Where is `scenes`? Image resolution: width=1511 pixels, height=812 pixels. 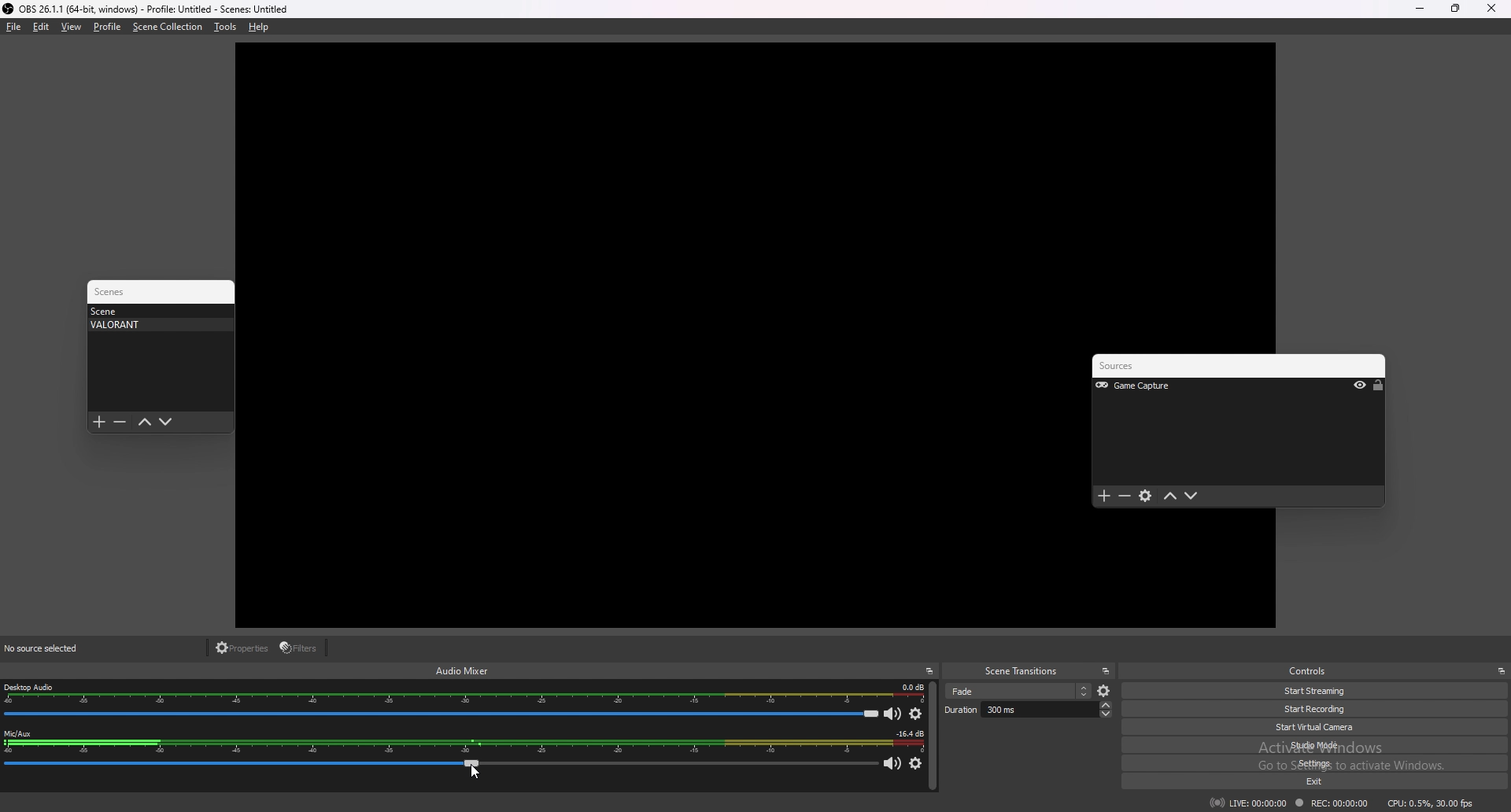
scenes is located at coordinates (116, 292).